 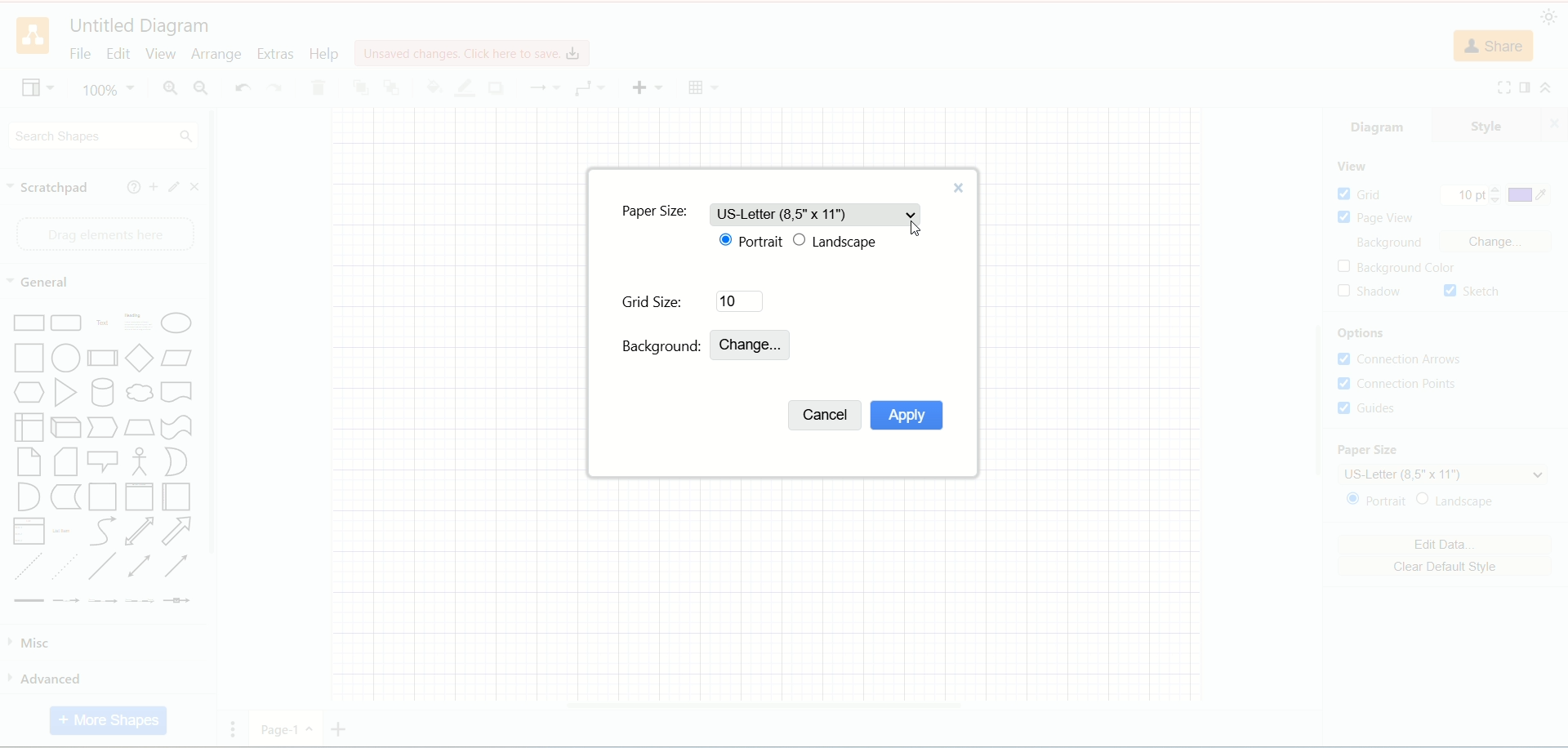 What do you see at coordinates (430, 86) in the screenshot?
I see `fill color` at bounding box center [430, 86].